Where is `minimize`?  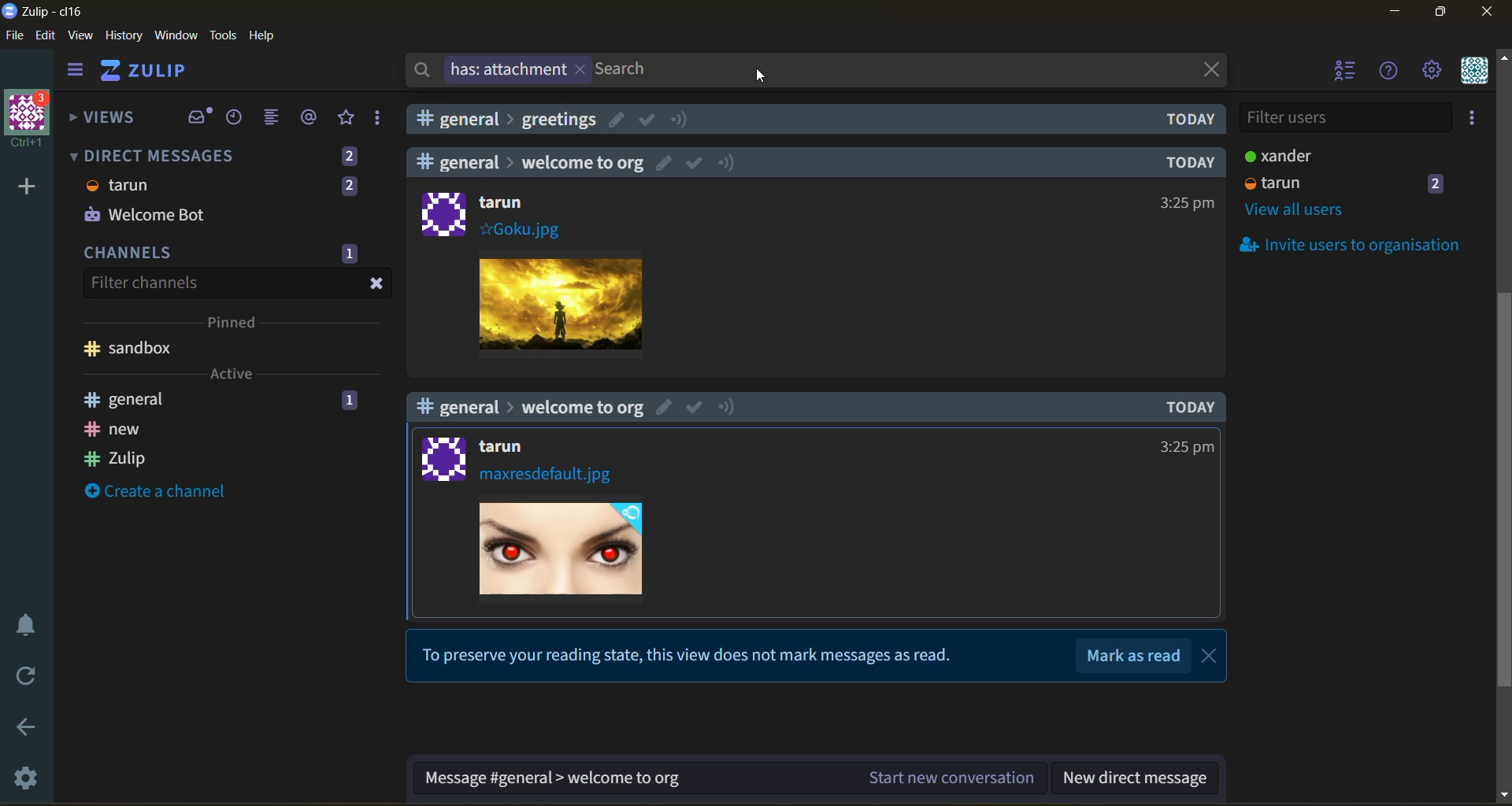 minimize is located at coordinates (1395, 12).